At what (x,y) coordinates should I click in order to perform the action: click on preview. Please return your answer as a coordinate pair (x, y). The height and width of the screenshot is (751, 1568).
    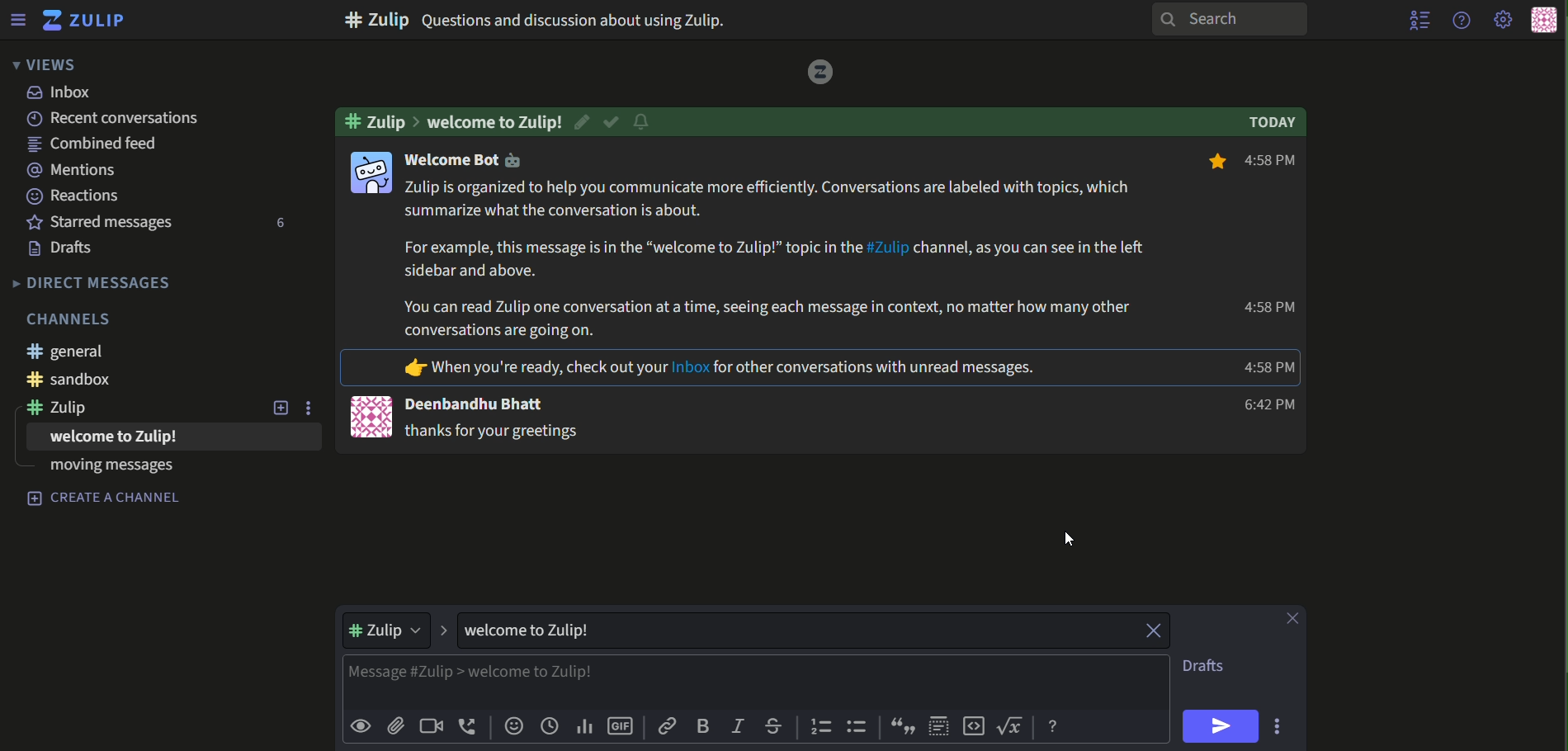
    Looking at the image, I should click on (360, 727).